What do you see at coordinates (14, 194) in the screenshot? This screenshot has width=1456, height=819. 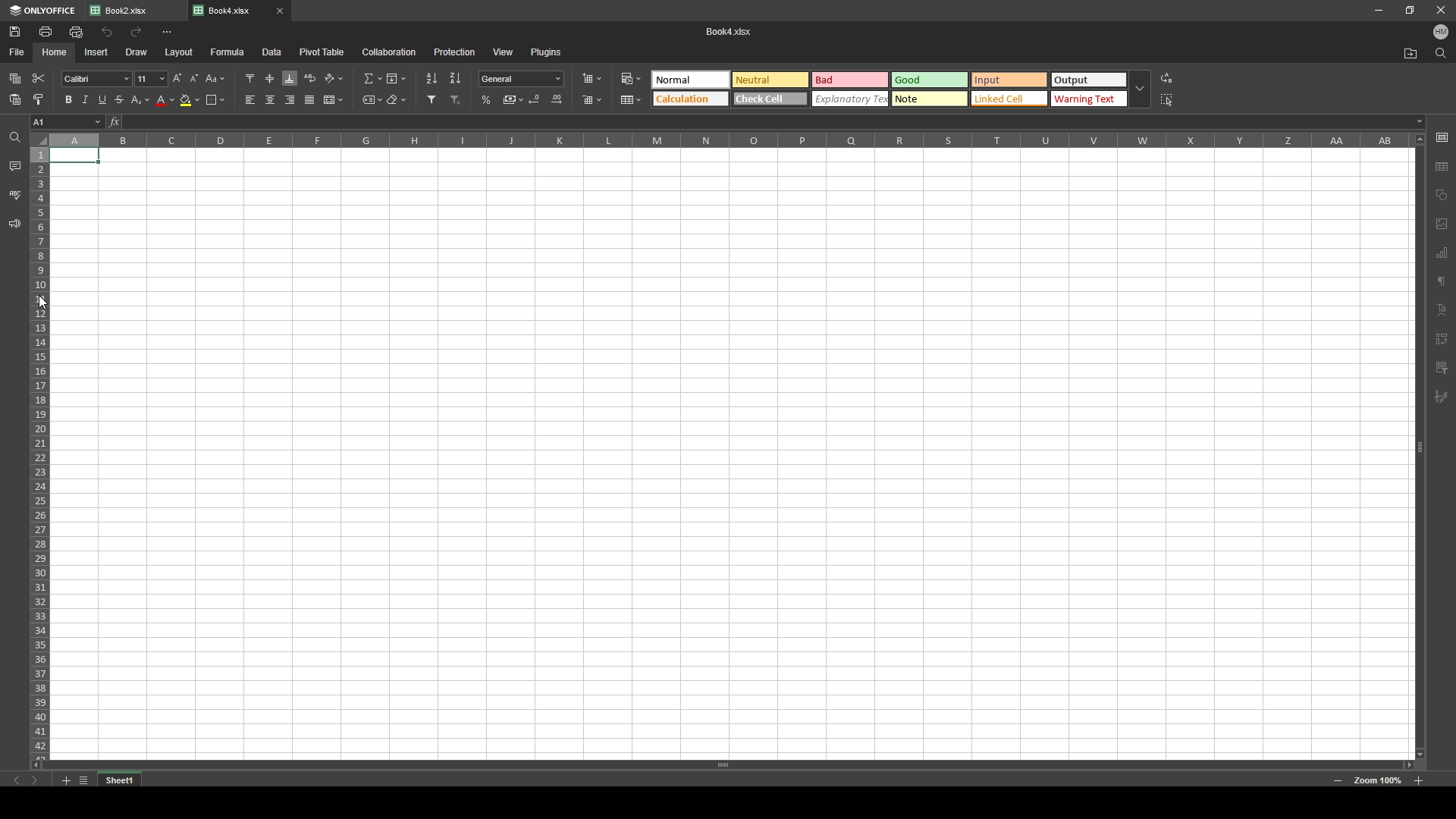 I see `spell check` at bounding box center [14, 194].